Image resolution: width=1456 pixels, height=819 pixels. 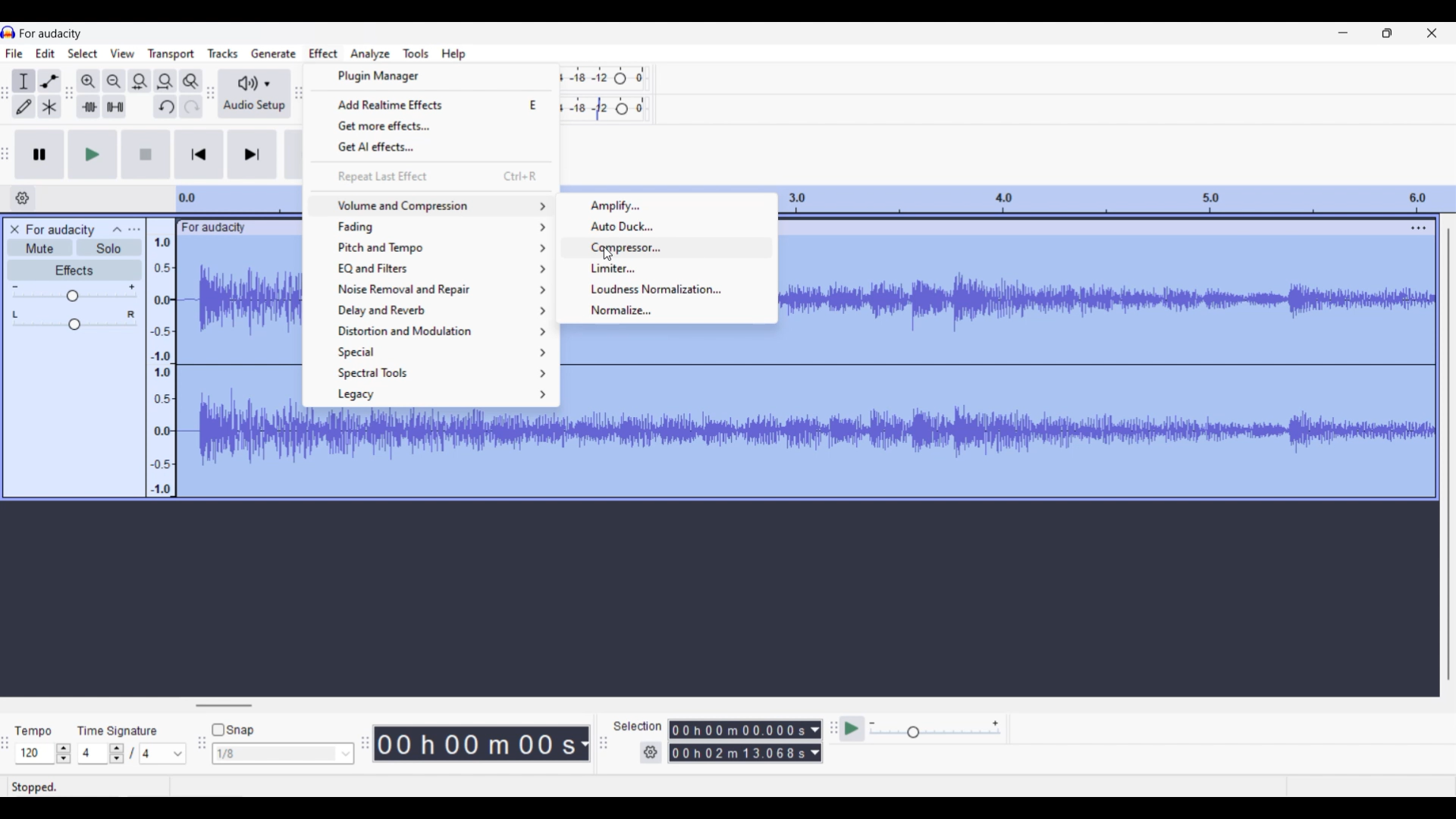 What do you see at coordinates (431, 248) in the screenshot?
I see `Pitch and tempo` at bounding box center [431, 248].